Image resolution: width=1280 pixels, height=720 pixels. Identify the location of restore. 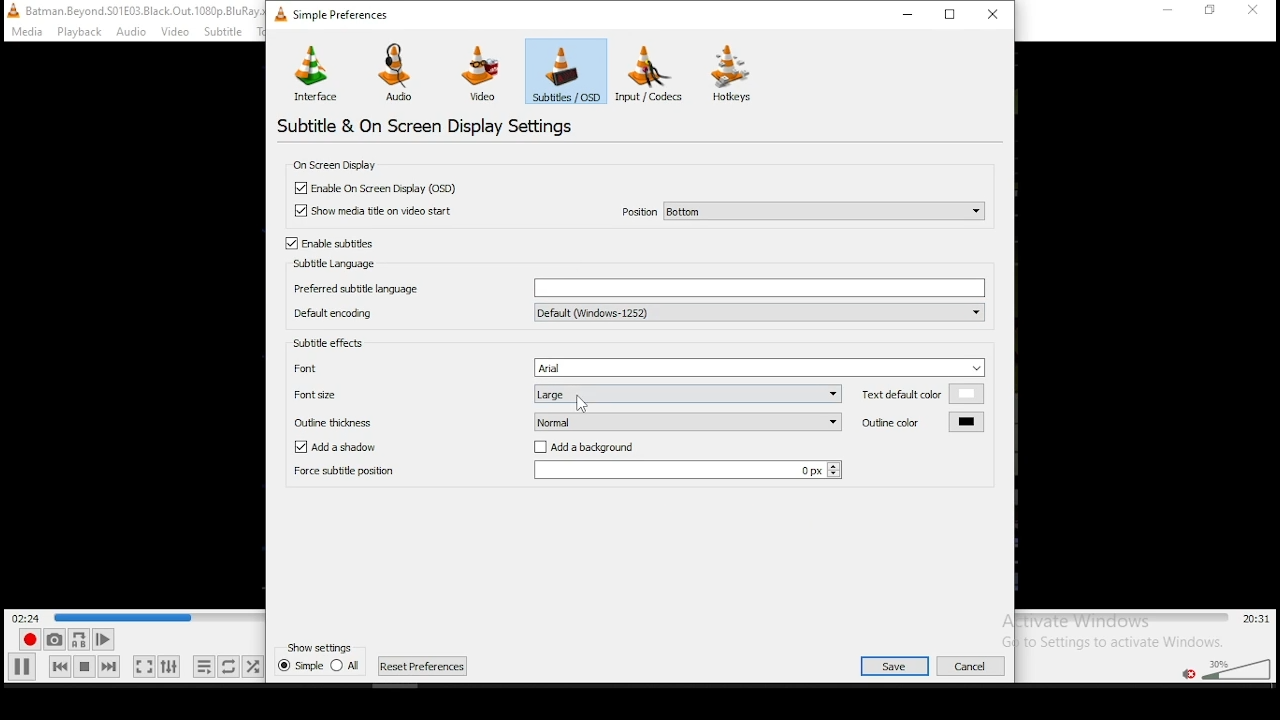
(1210, 11).